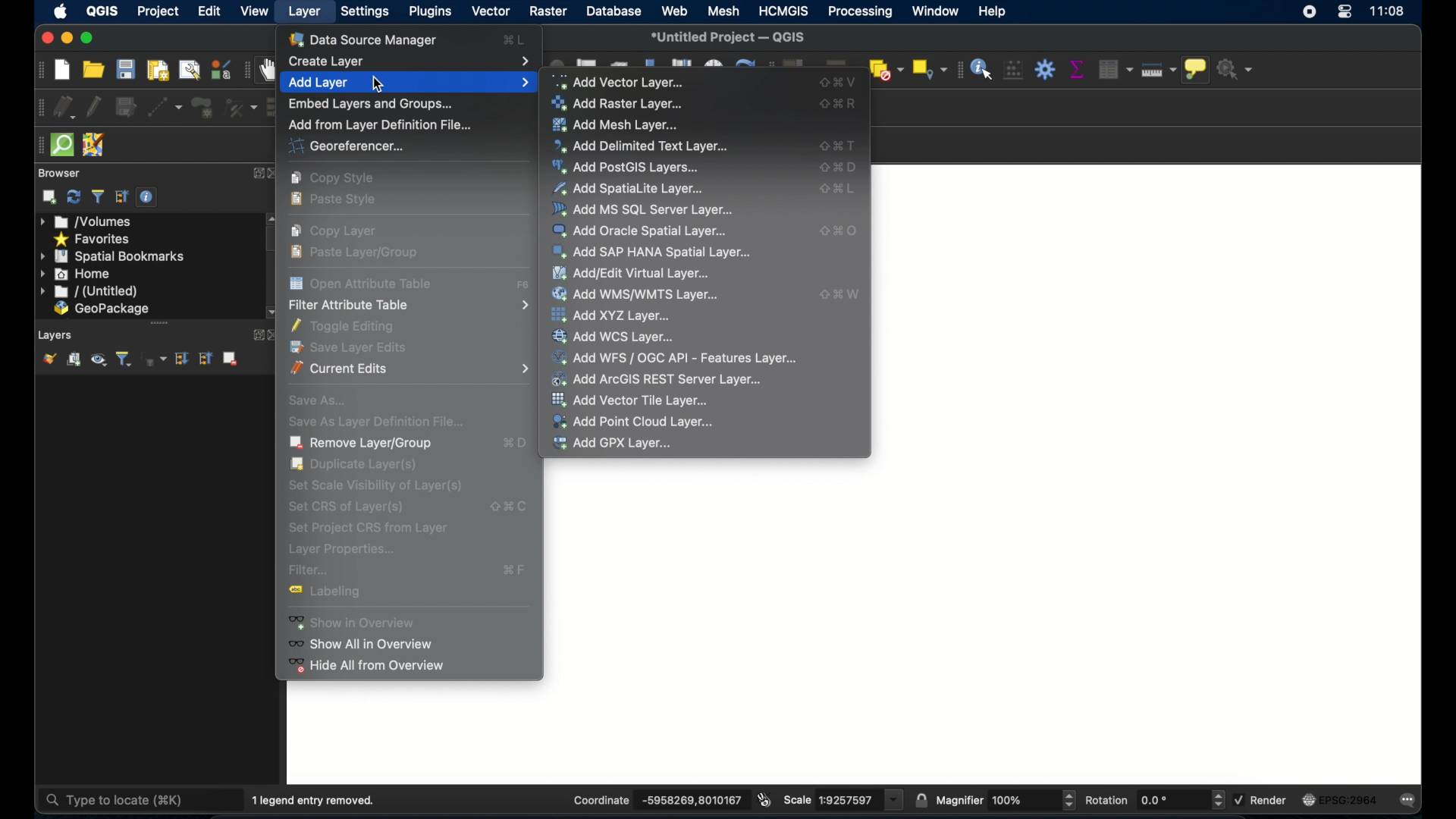 The height and width of the screenshot is (819, 1456). What do you see at coordinates (1389, 13) in the screenshot?
I see `time` at bounding box center [1389, 13].